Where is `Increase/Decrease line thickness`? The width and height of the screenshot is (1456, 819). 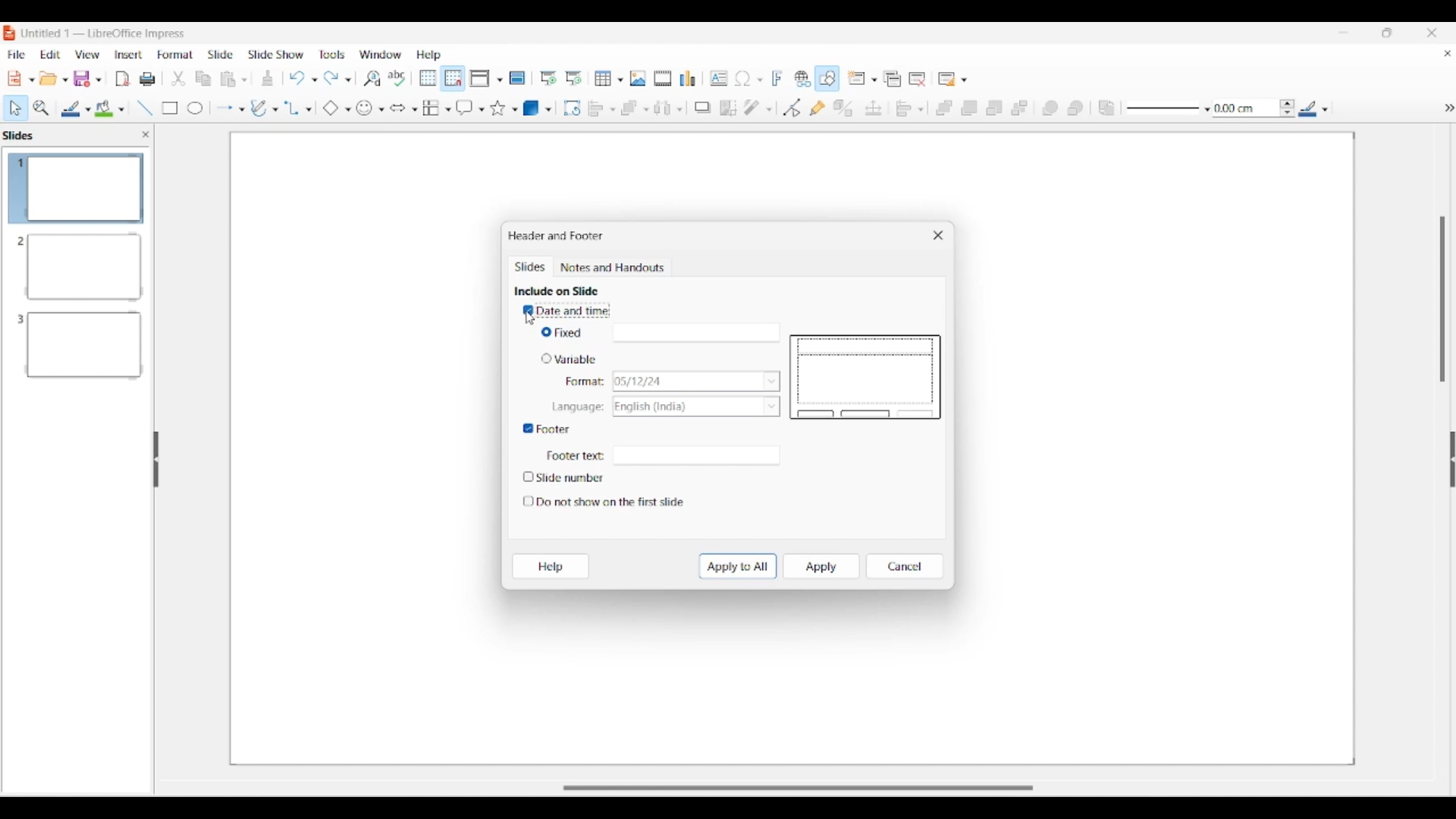
Increase/Decrease line thickness is located at coordinates (1288, 108).